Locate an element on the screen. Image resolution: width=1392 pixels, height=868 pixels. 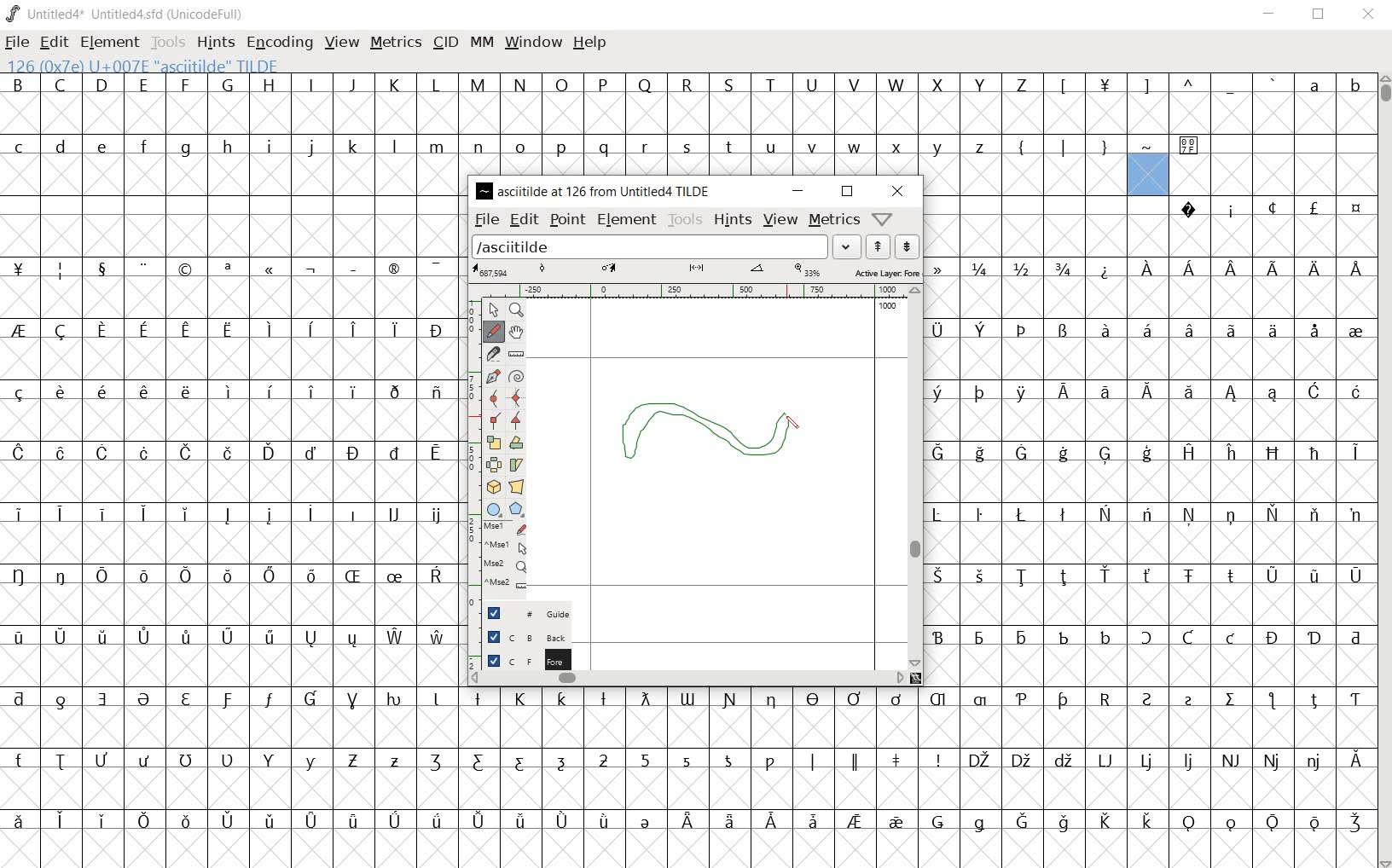
Add a corner point is located at coordinates (494, 419).